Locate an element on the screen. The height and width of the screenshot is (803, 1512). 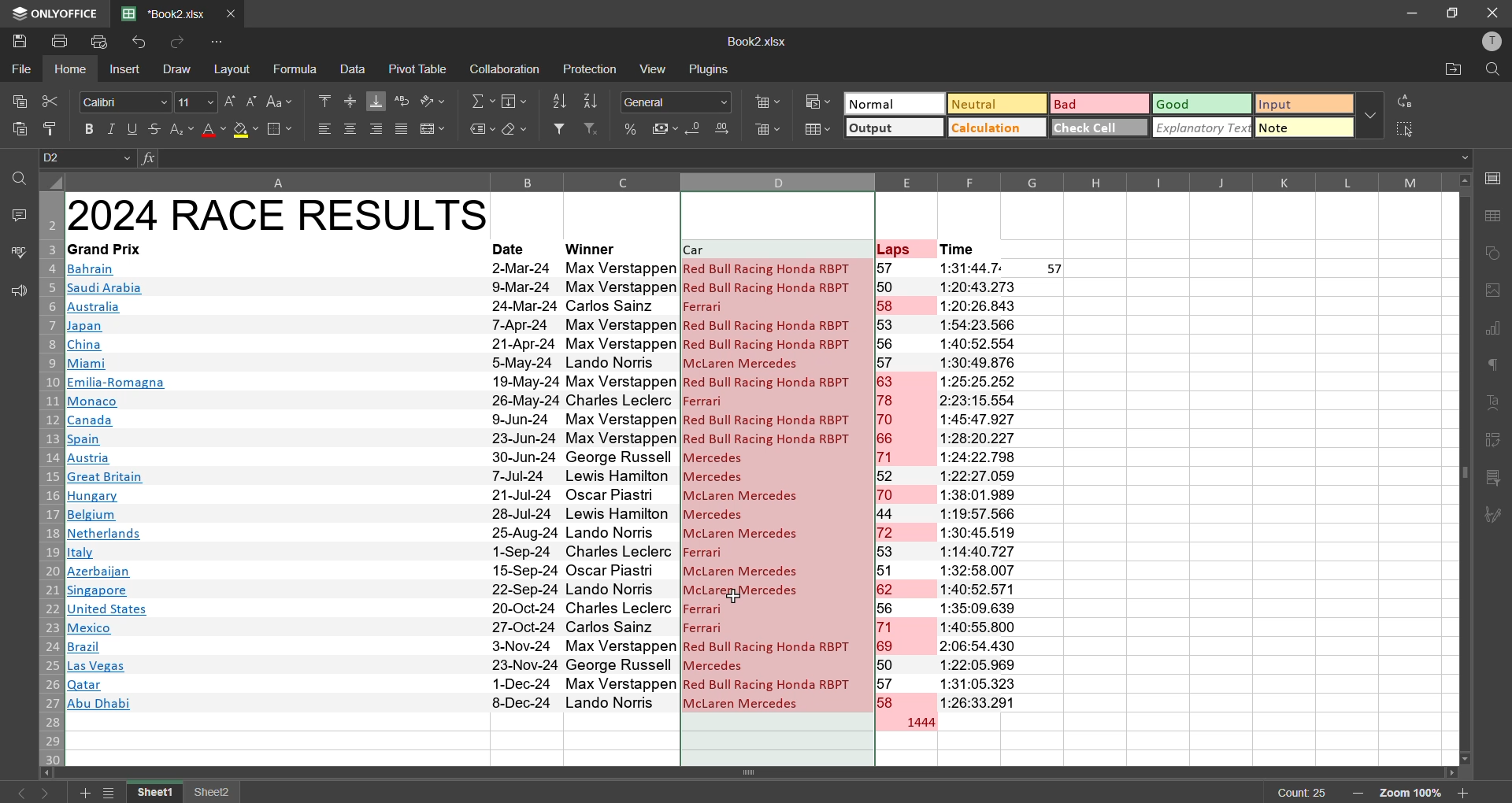
sort ascending is located at coordinates (559, 102).